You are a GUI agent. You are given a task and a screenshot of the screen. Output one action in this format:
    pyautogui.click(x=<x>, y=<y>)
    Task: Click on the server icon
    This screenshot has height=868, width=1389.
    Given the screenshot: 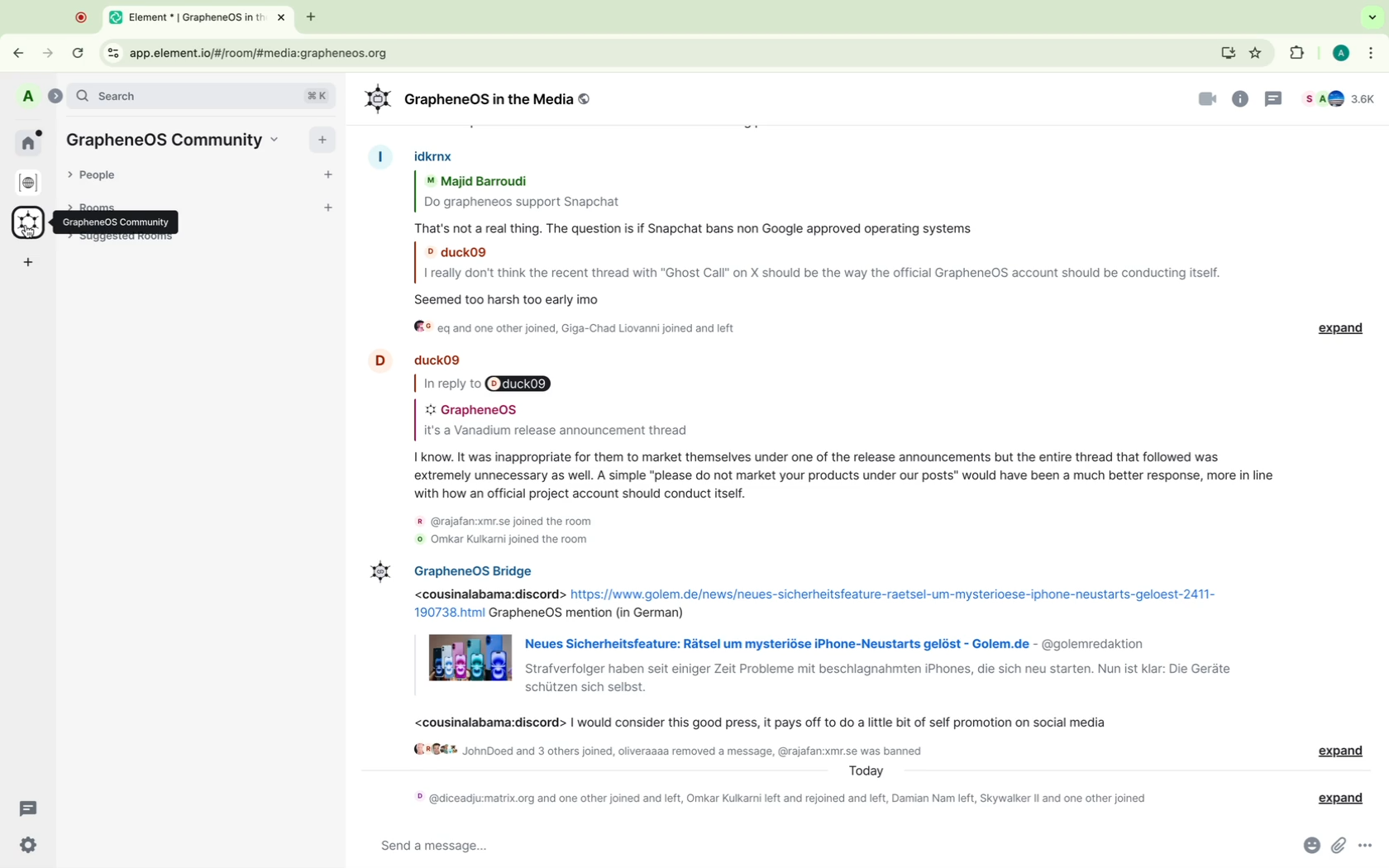 What is the action you would take?
    pyautogui.click(x=30, y=183)
    